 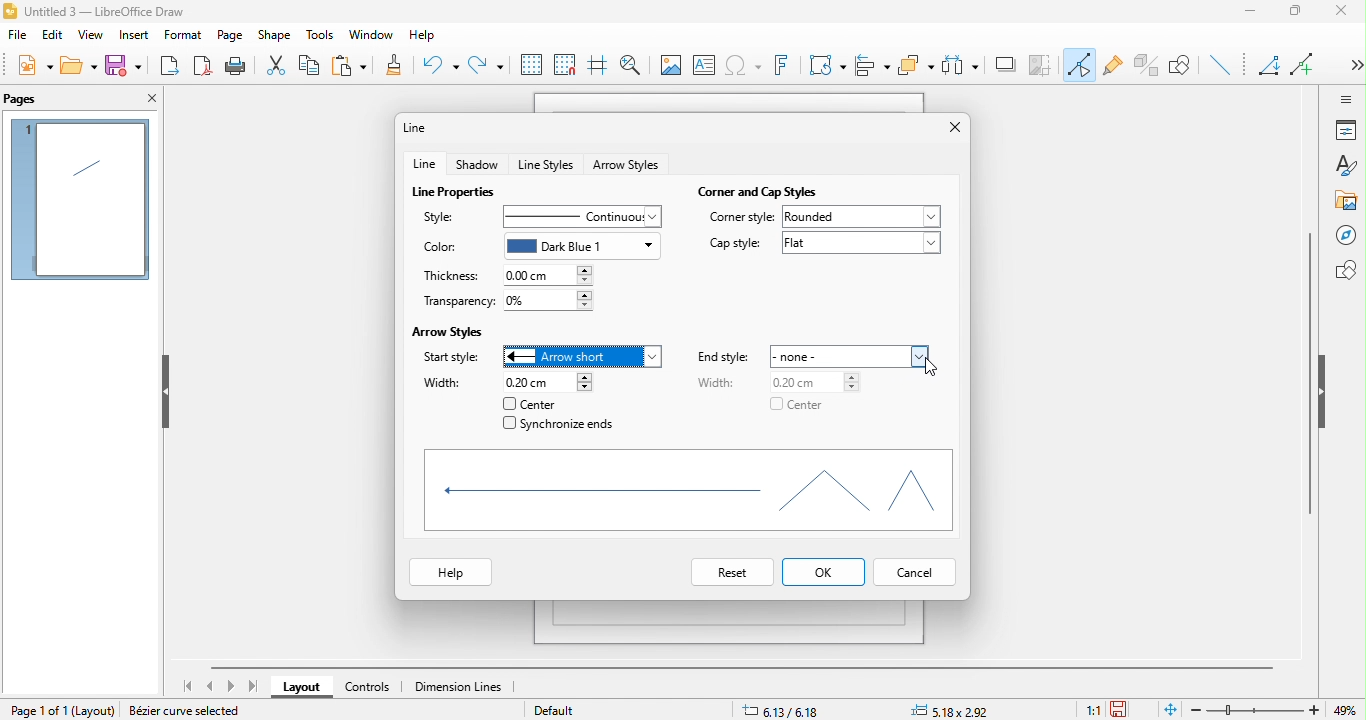 What do you see at coordinates (1309, 372) in the screenshot?
I see `vertical scroll bar` at bounding box center [1309, 372].